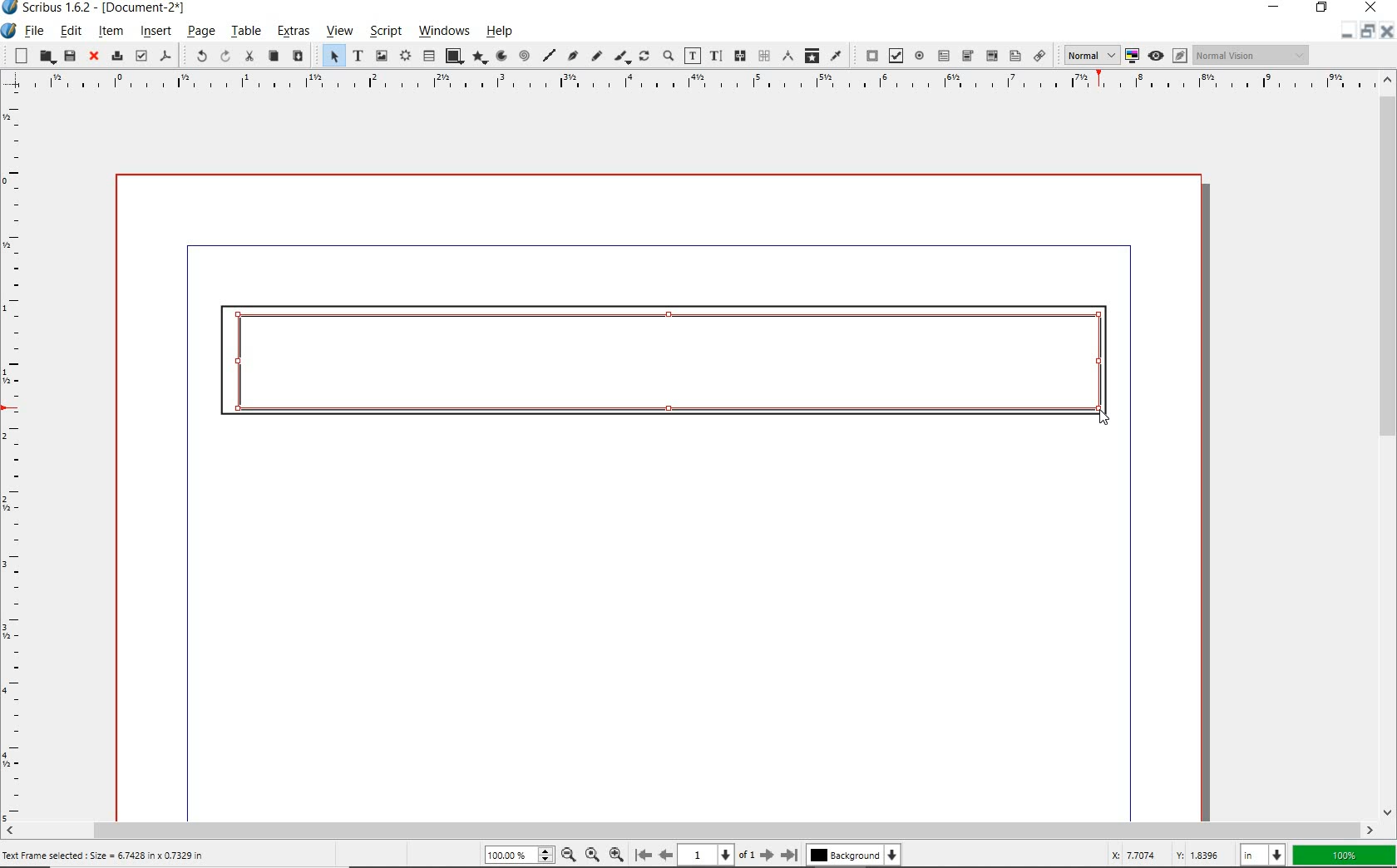 This screenshot has width=1397, height=868. What do you see at coordinates (273, 57) in the screenshot?
I see `copy` at bounding box center [273, 57].